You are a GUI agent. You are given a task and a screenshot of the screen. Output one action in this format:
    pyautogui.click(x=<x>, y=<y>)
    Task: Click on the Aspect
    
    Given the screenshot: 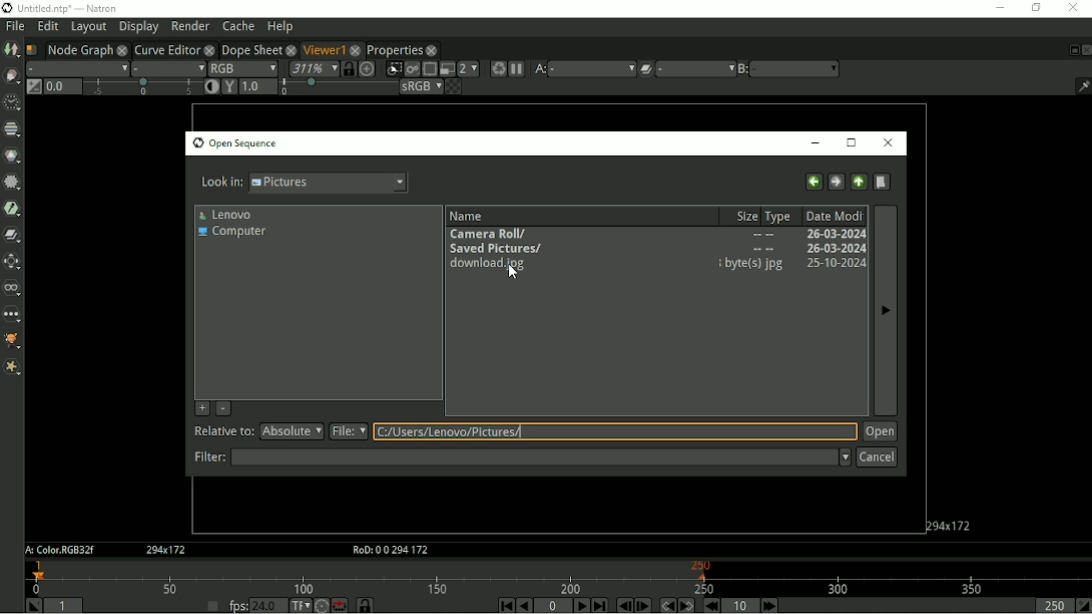 What is the action you would take?
    pyautogui.click(x=950, y=524)
    